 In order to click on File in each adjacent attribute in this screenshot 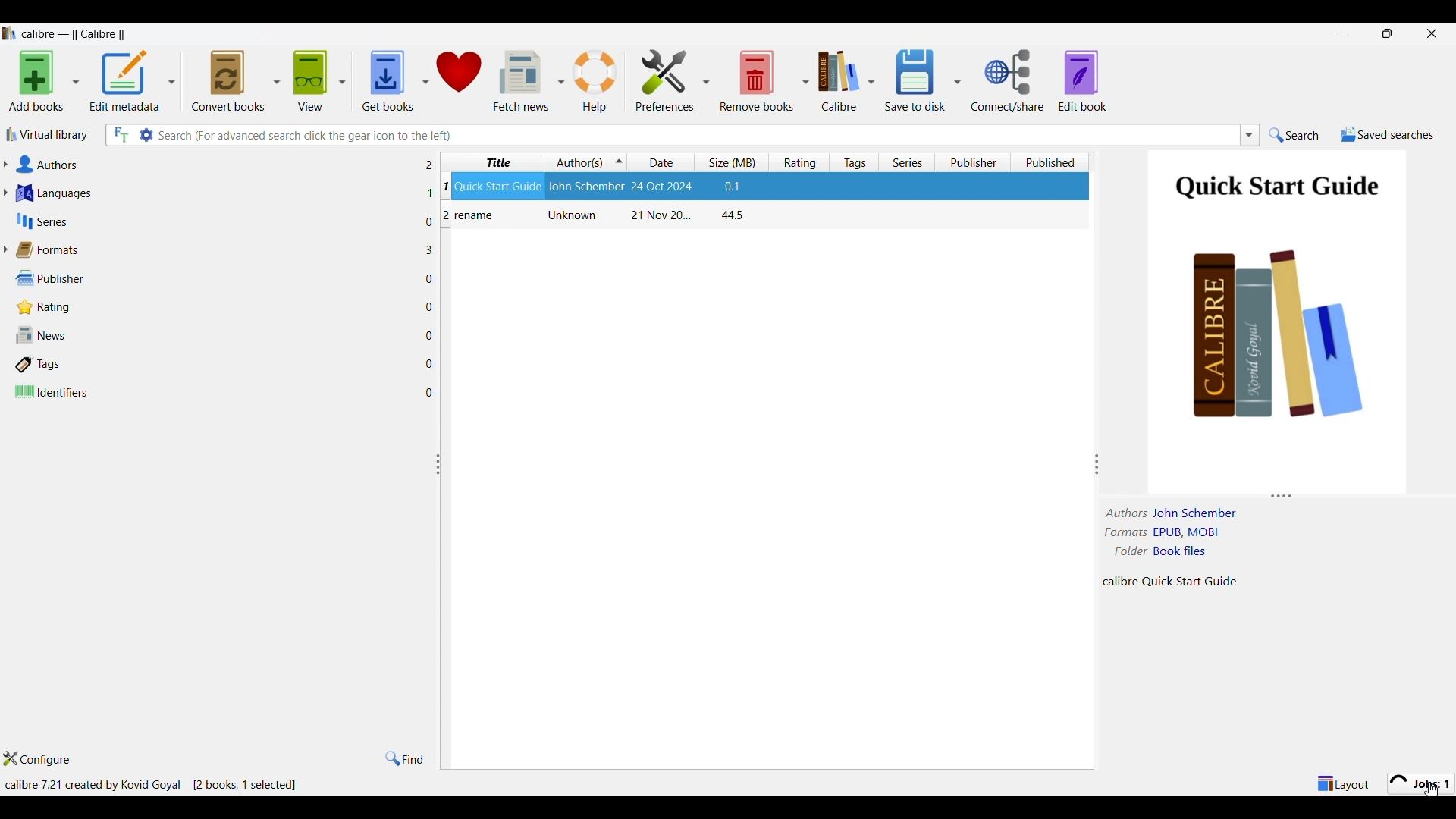, I will do `click(427, 279)`.